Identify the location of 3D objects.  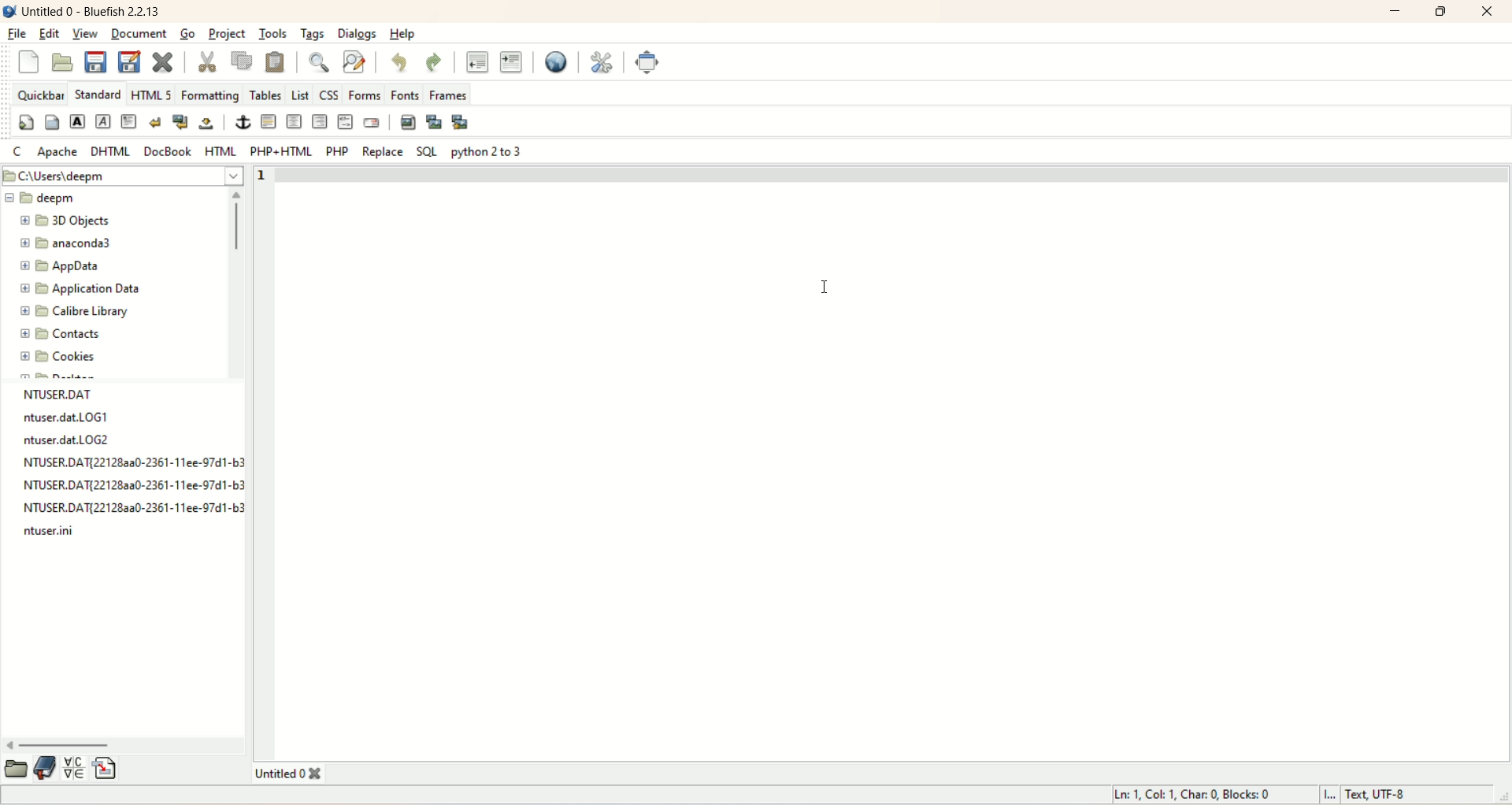
(65, 222).